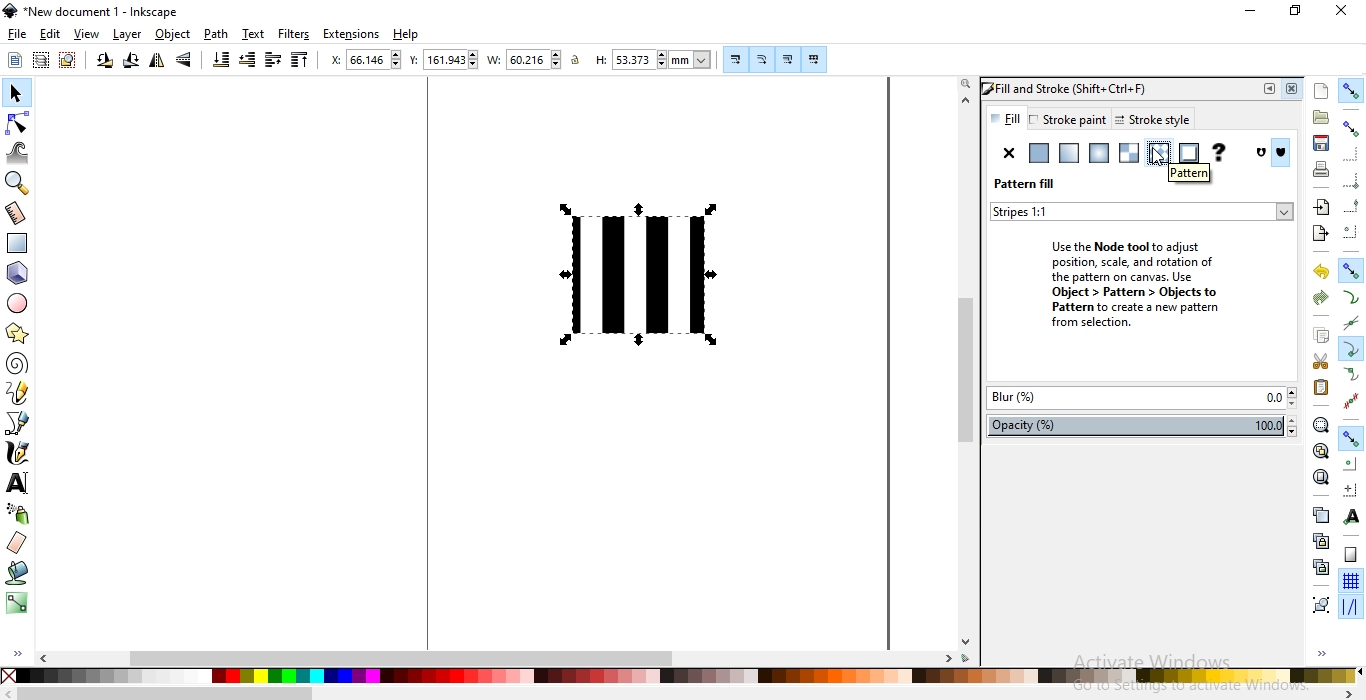 The width and height of the screenshot is (1366, 700). I want to click on 60.216, so click(535, 60).